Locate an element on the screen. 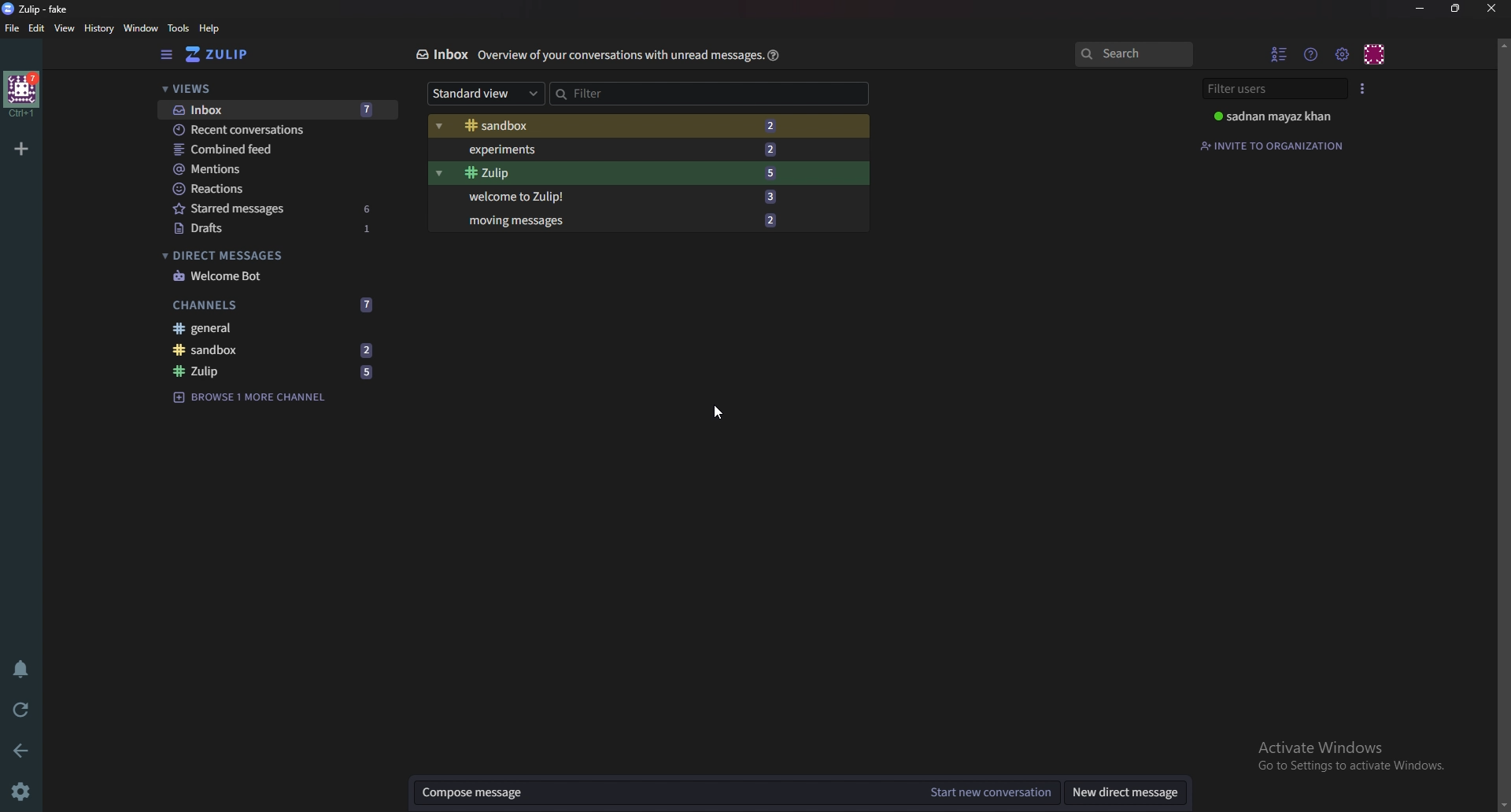 This screenshot has width=1511, height=812. # zulip 5 is located at coordinates (278, 372).